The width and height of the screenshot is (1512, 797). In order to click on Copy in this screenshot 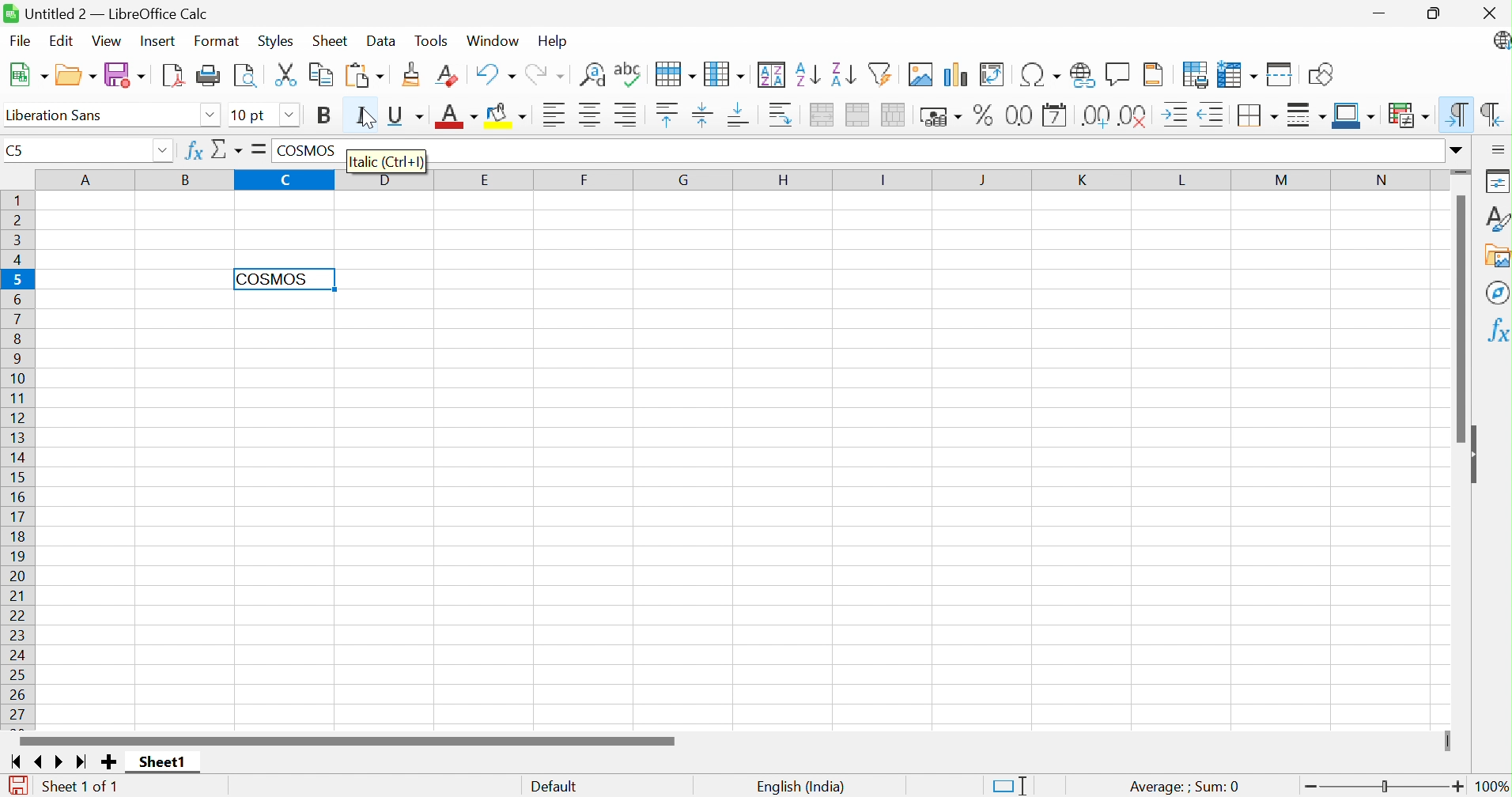, I will do `click(319, 76)`.